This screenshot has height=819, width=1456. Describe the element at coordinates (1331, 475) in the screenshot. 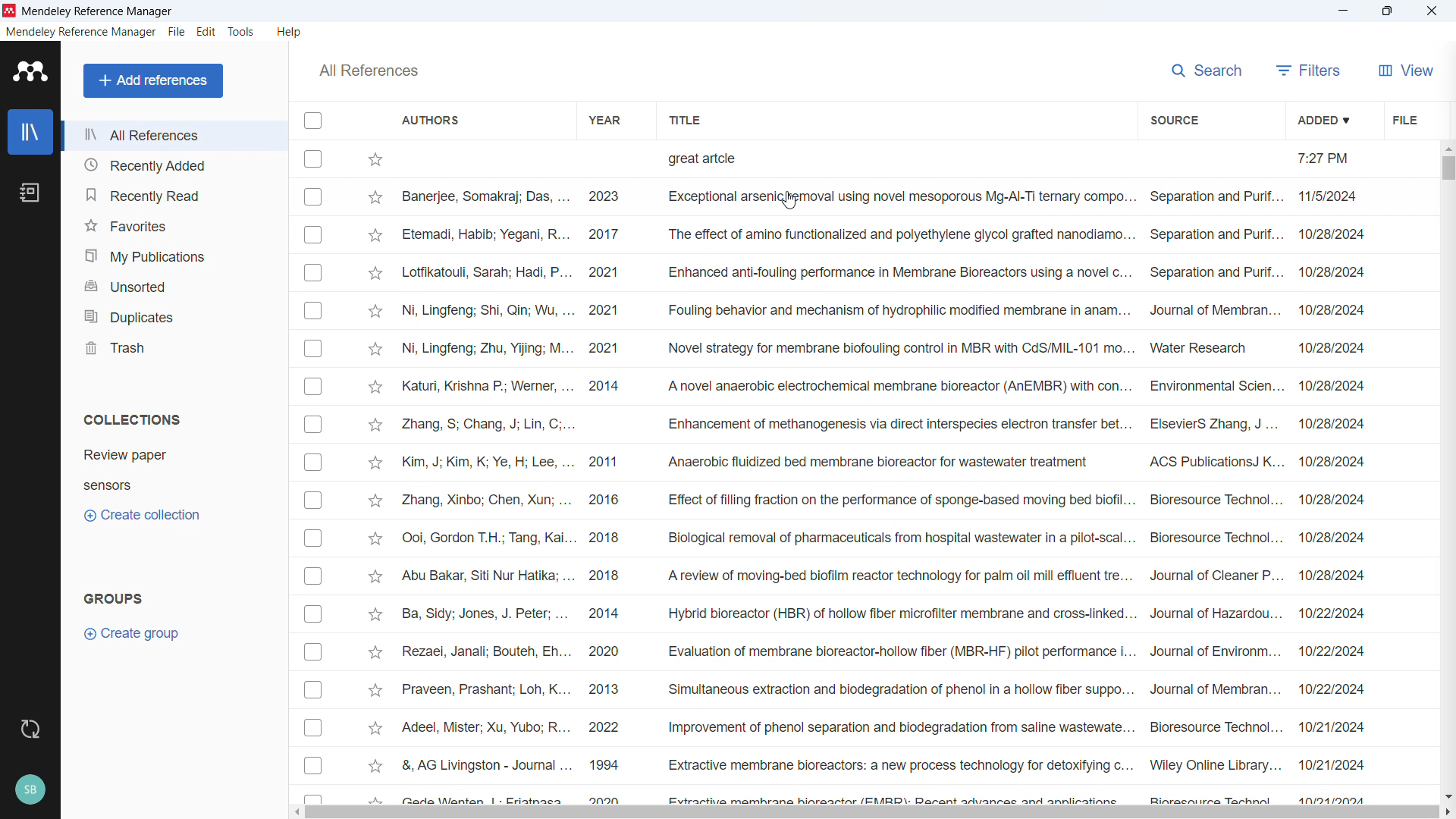

I see `Date of addition of individual entries ` at that location.